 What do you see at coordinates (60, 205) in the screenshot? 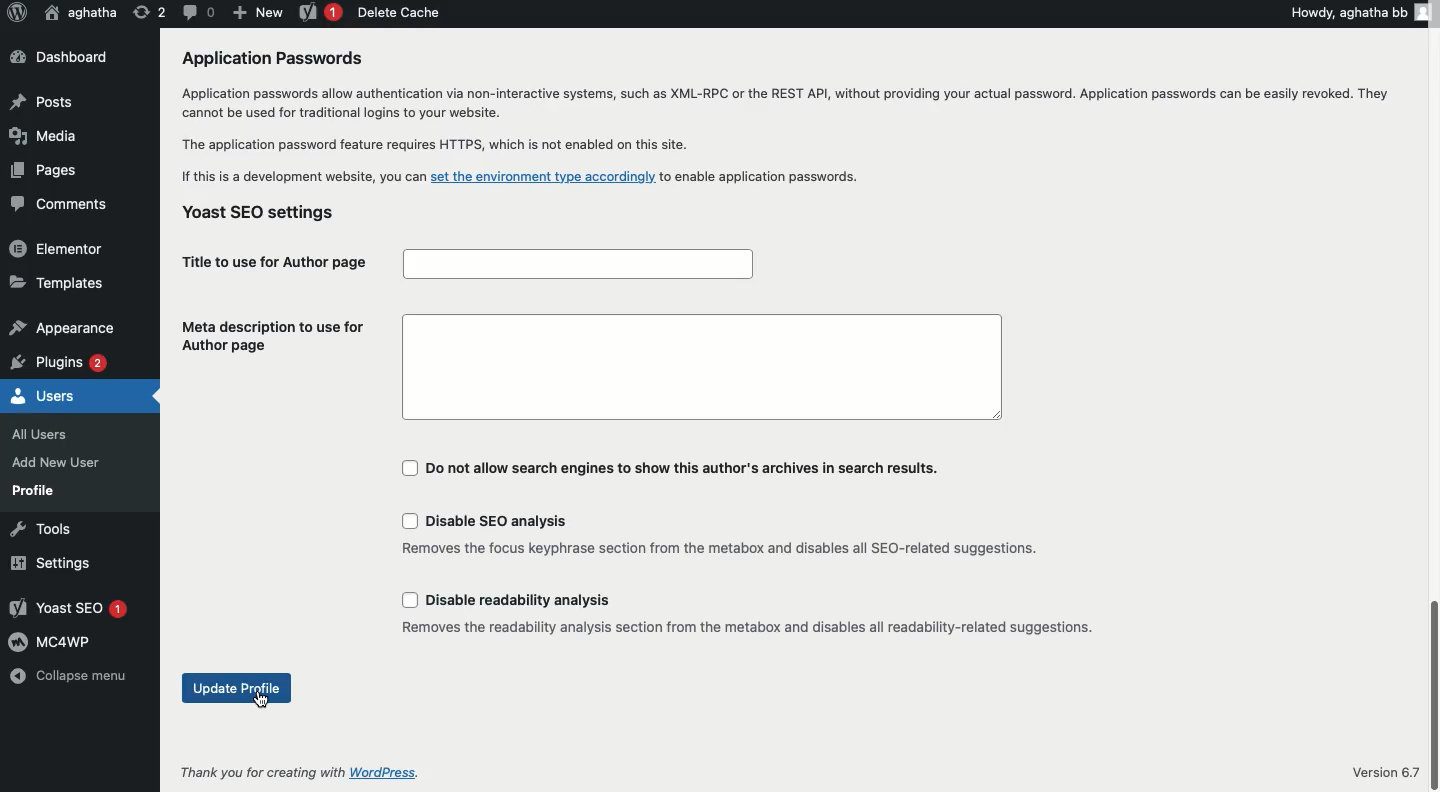
I see `Comments` at bounding box center [60, 205].